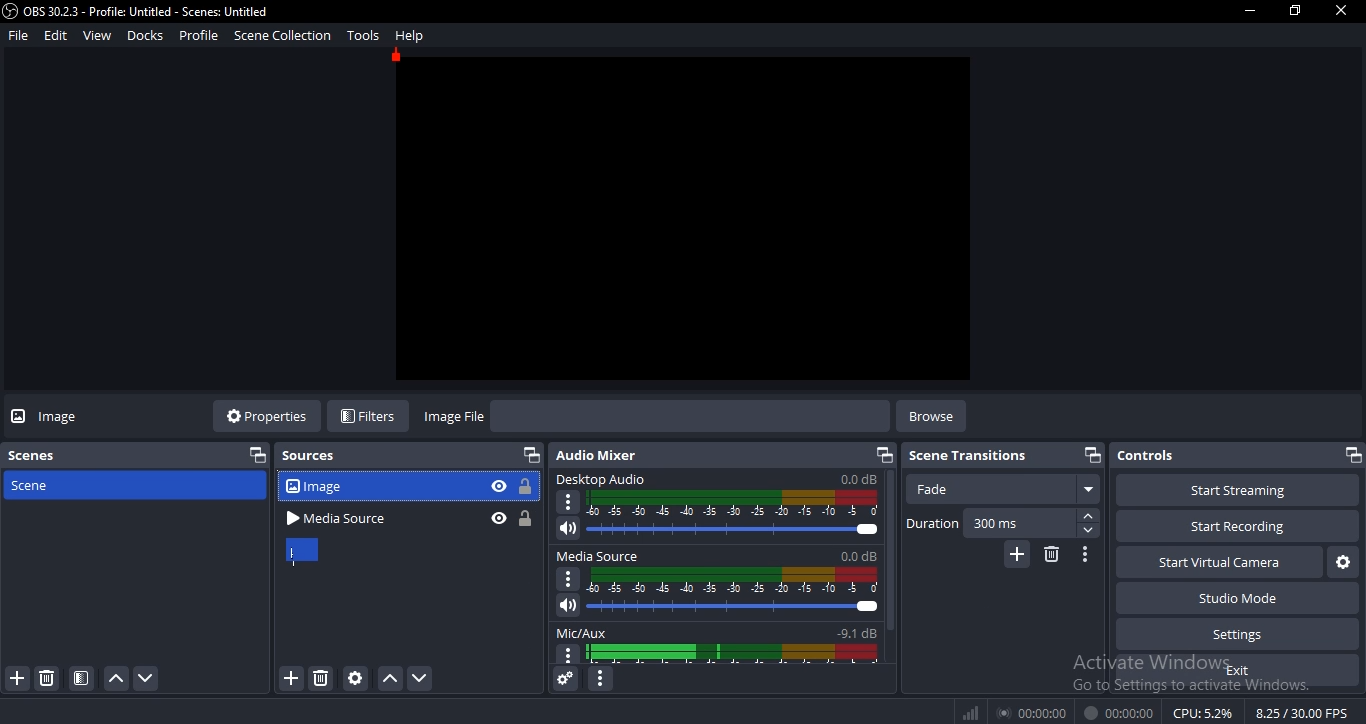 The height and width of the screenshot is (724, 1366). I want to click on audio mixer, so click(598, 456).